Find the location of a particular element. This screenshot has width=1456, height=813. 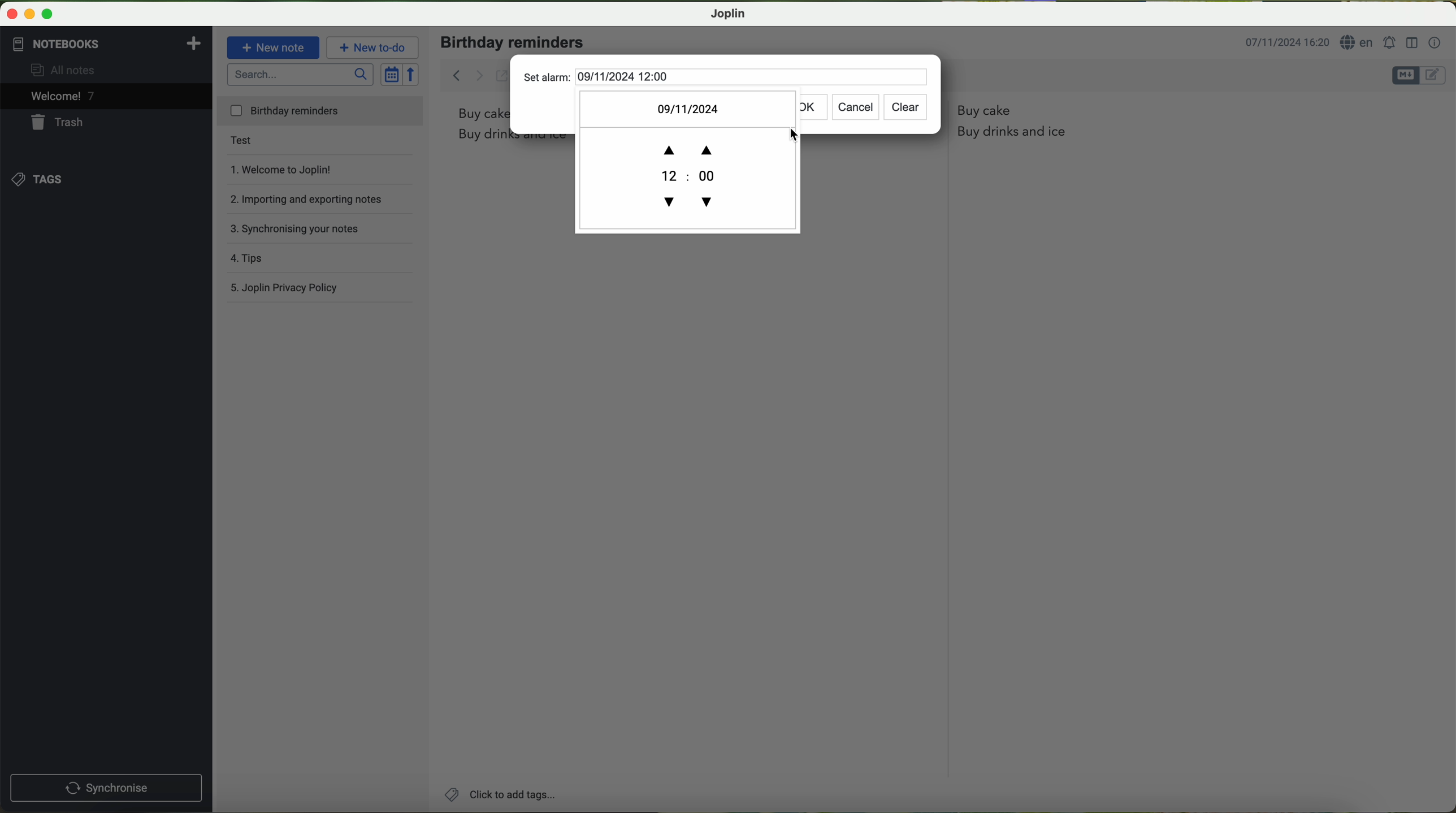

cursor is located at coordinates (792, 133).